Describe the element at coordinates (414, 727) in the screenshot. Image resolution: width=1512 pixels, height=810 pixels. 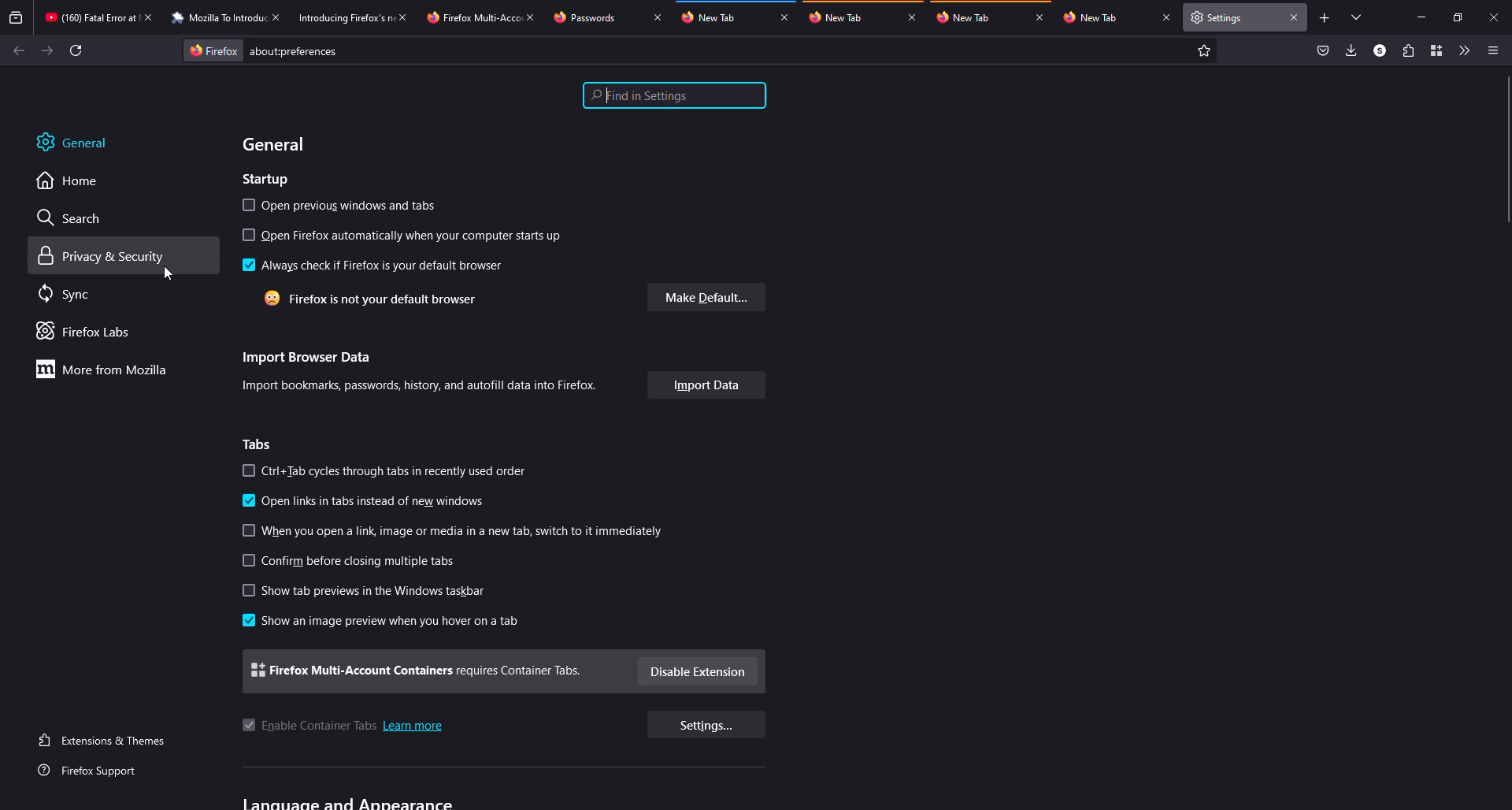
I see `learn more` at that location.